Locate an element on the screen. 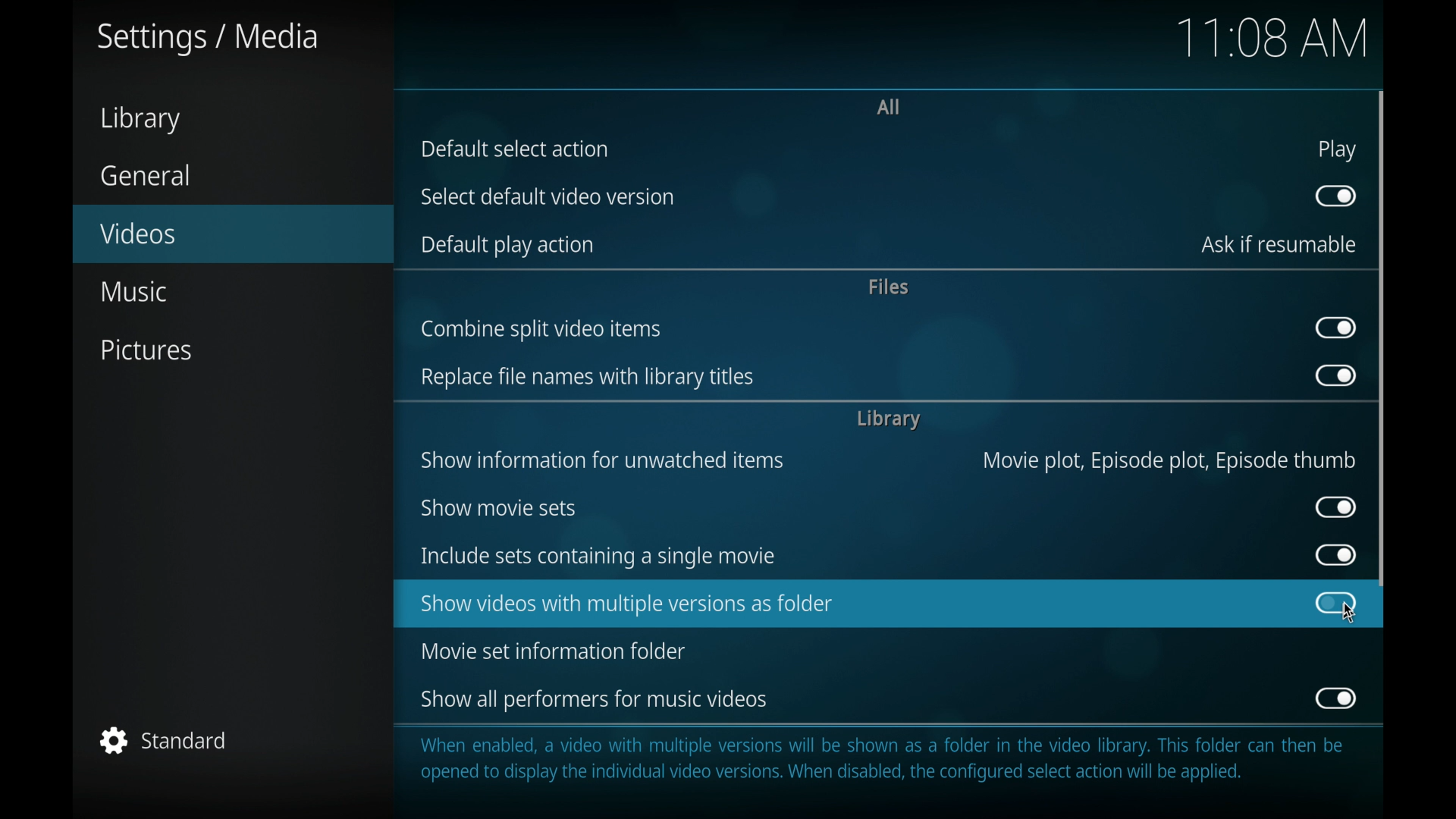 This screenshot has width=1456, height=819. show videos with multiple version as folder is located at coordinates (846, 603).